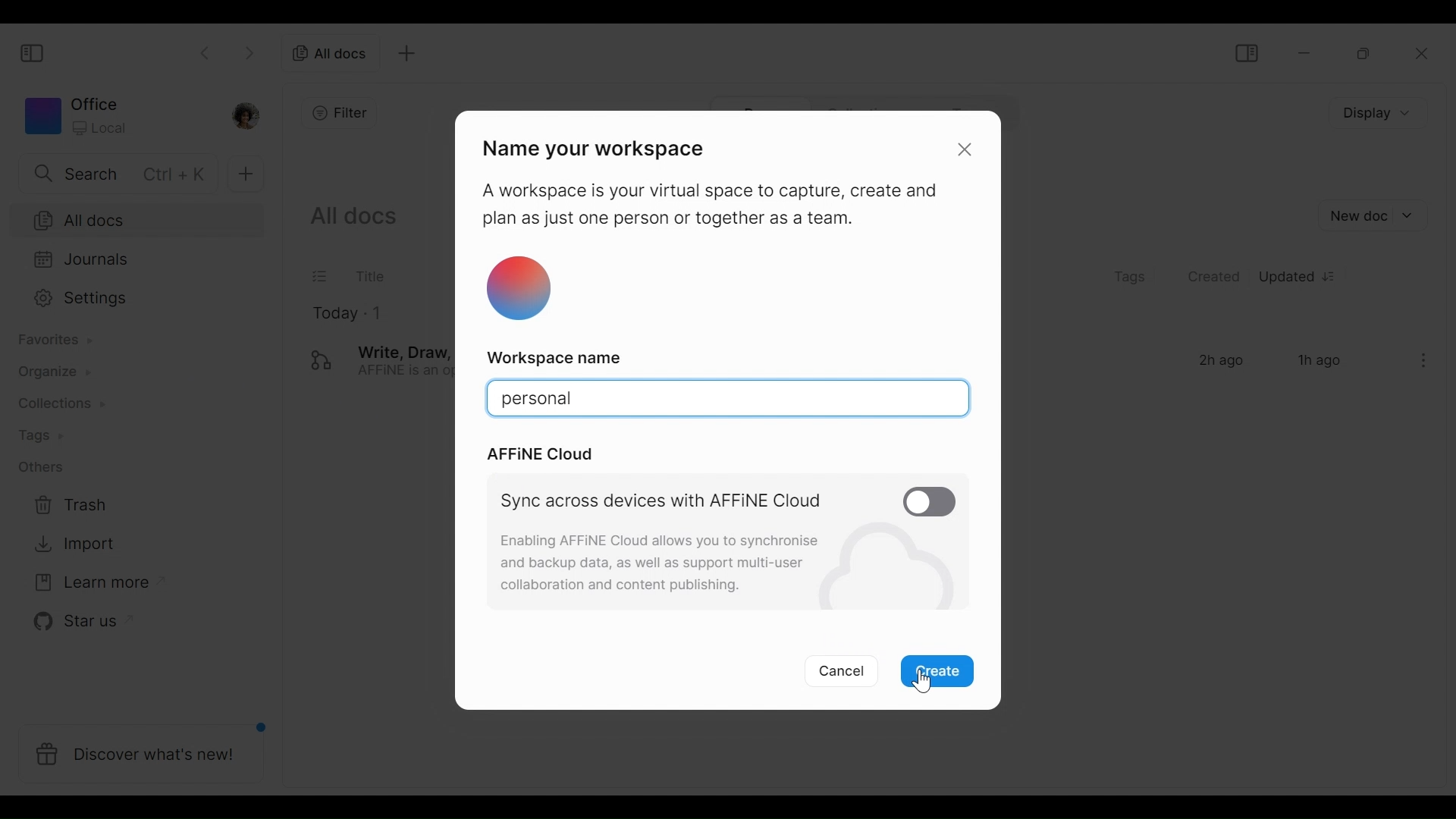 Image resolution: width=1456 pixels, height=819 pixels. I want to click on Add new, so click(245, 175).